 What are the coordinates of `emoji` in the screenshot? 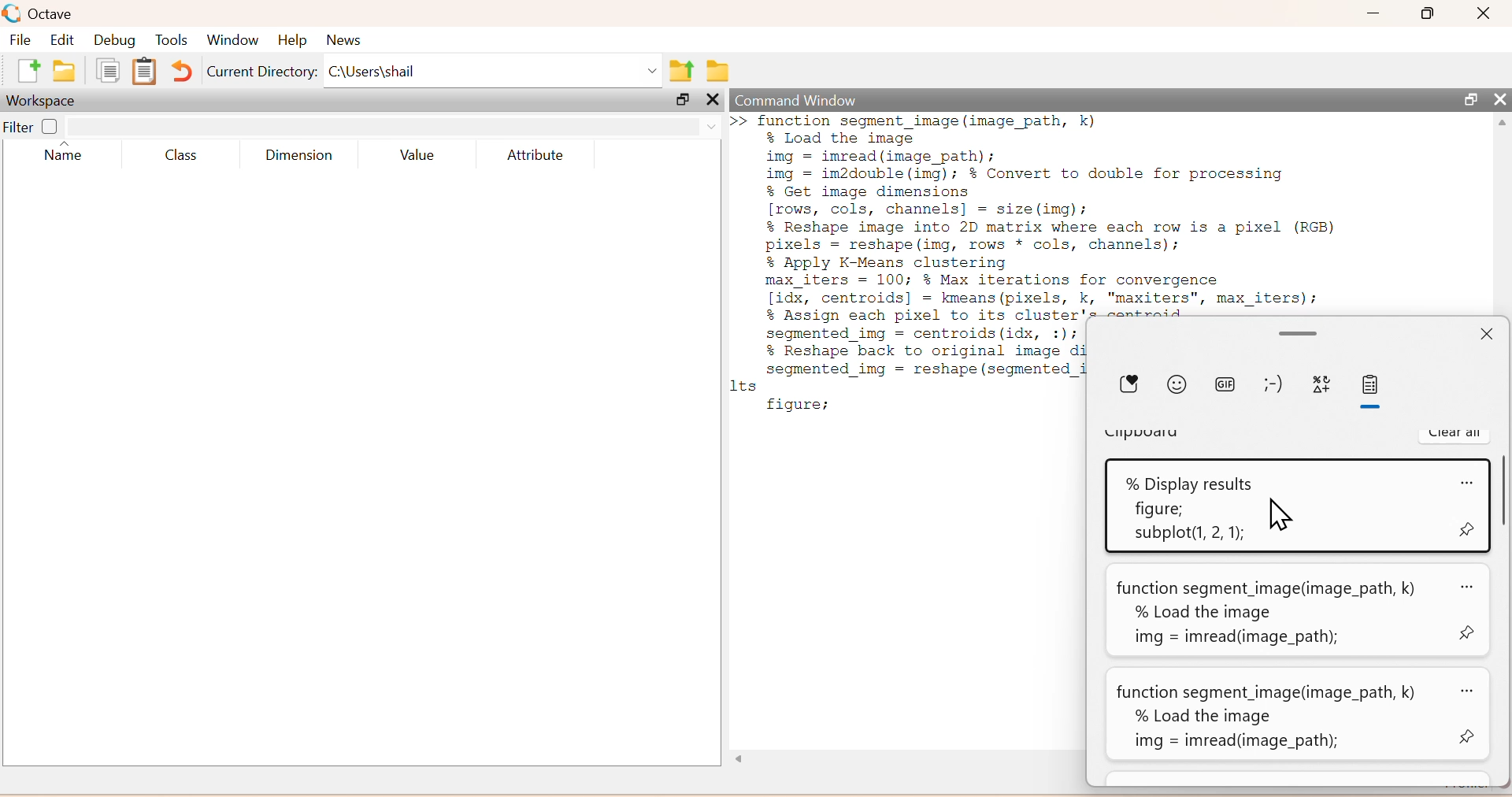 It's located at (1179, 385).